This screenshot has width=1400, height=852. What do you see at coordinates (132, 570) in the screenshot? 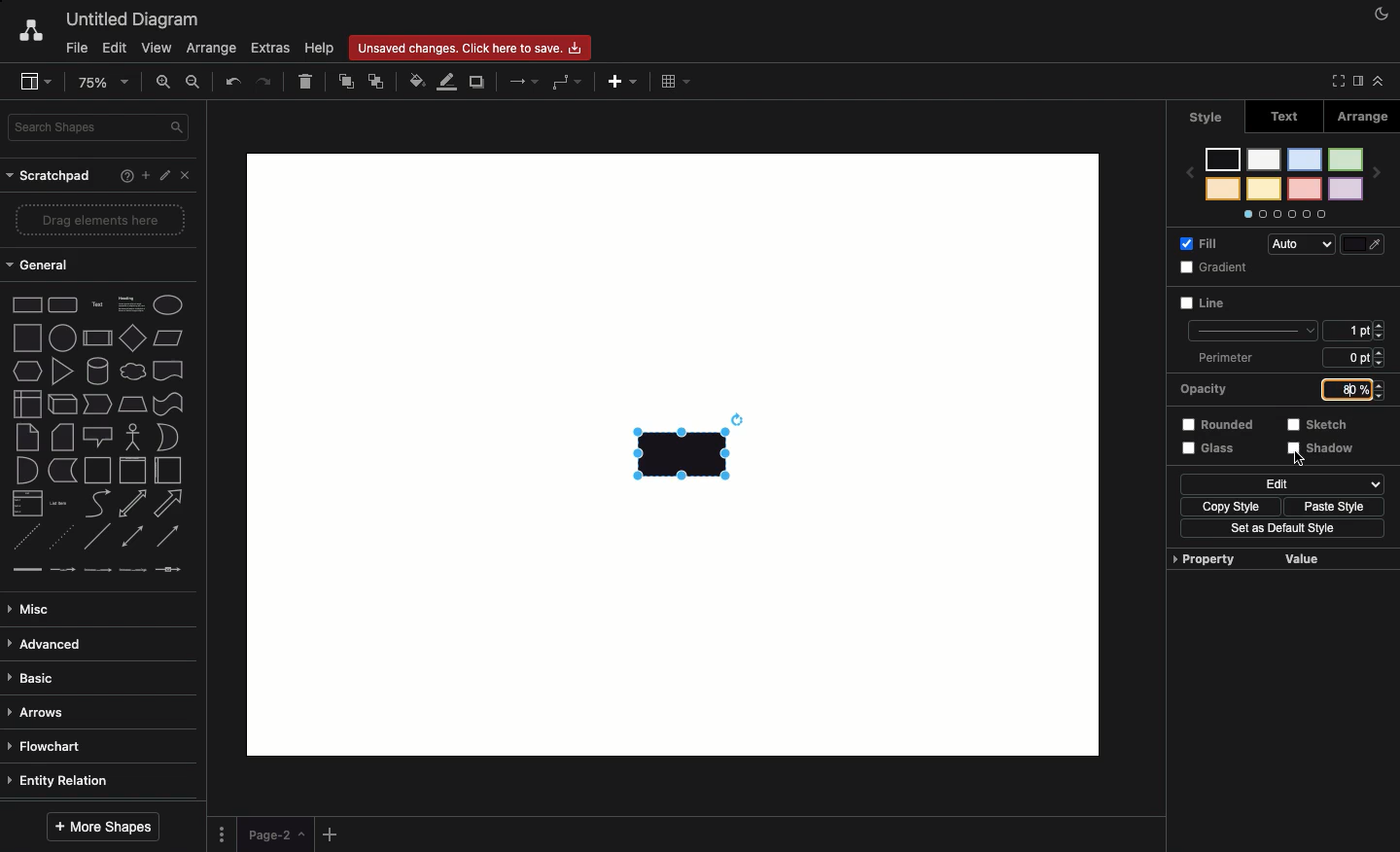
I see `connector with 3 labels` at bounding box center [132, 570].